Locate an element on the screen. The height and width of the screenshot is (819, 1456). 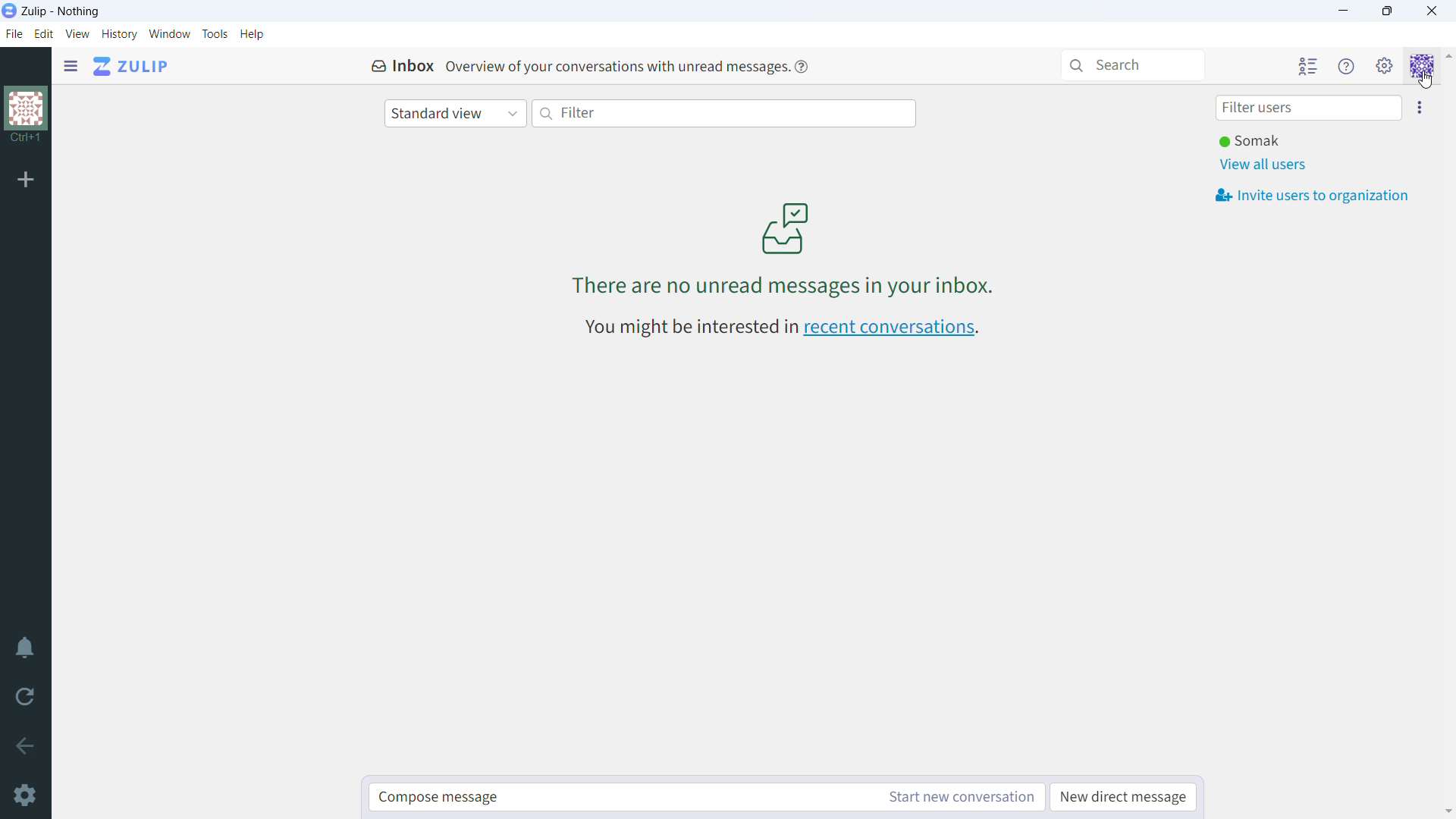
personal menu is located at coordinates (1423, 64).